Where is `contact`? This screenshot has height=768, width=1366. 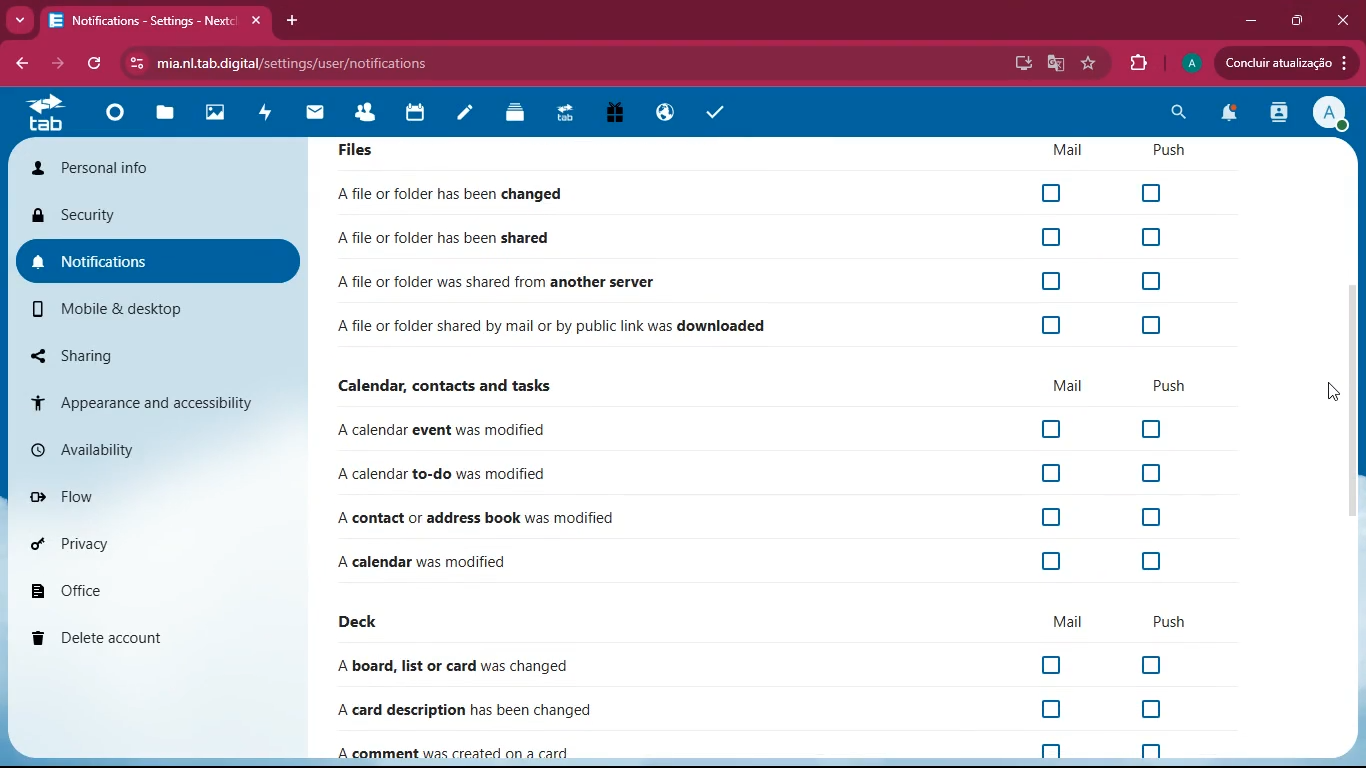
contact is located at coordinates (540, 513).